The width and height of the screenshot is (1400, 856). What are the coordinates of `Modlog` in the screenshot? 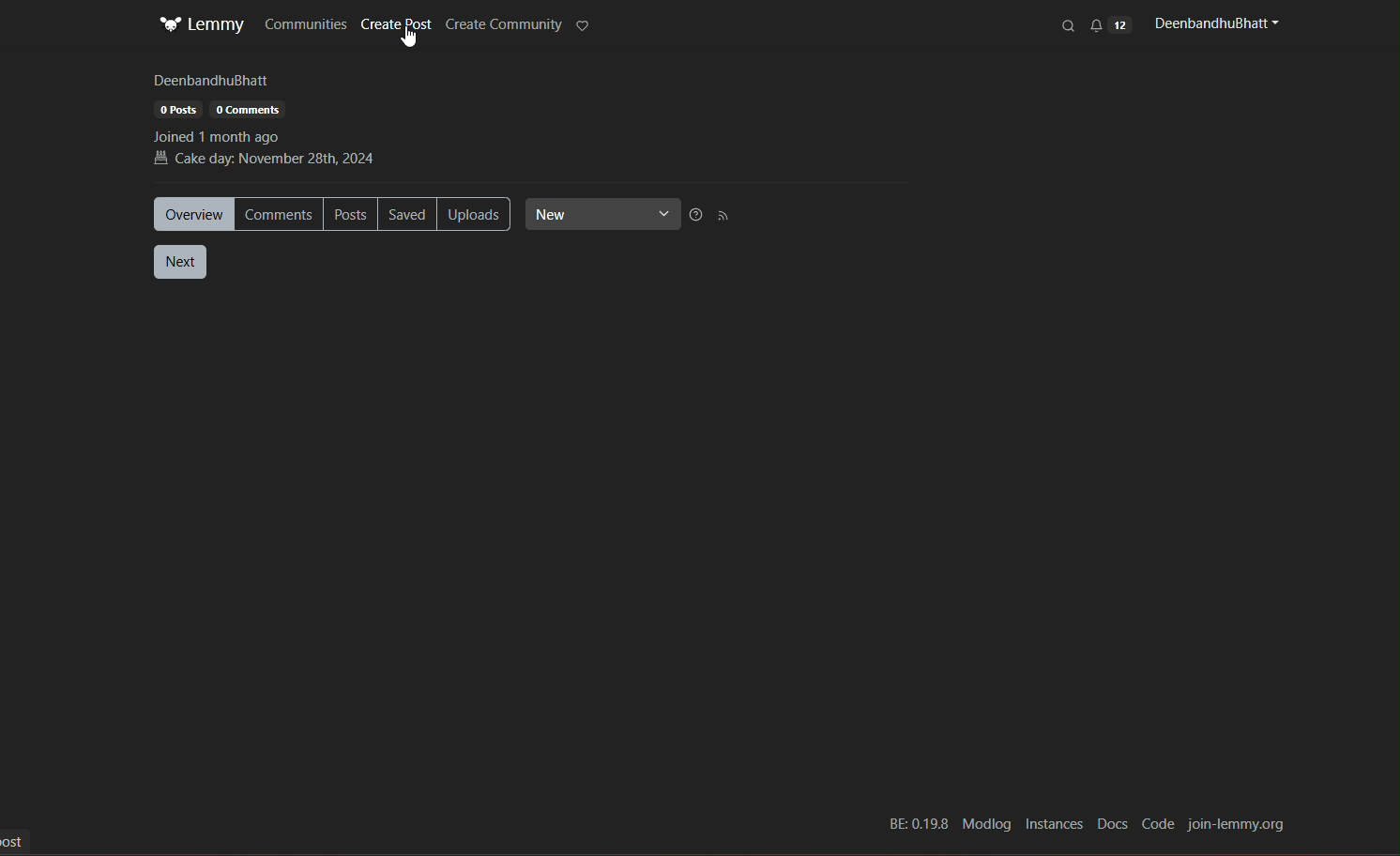 It's located at (984, 825).